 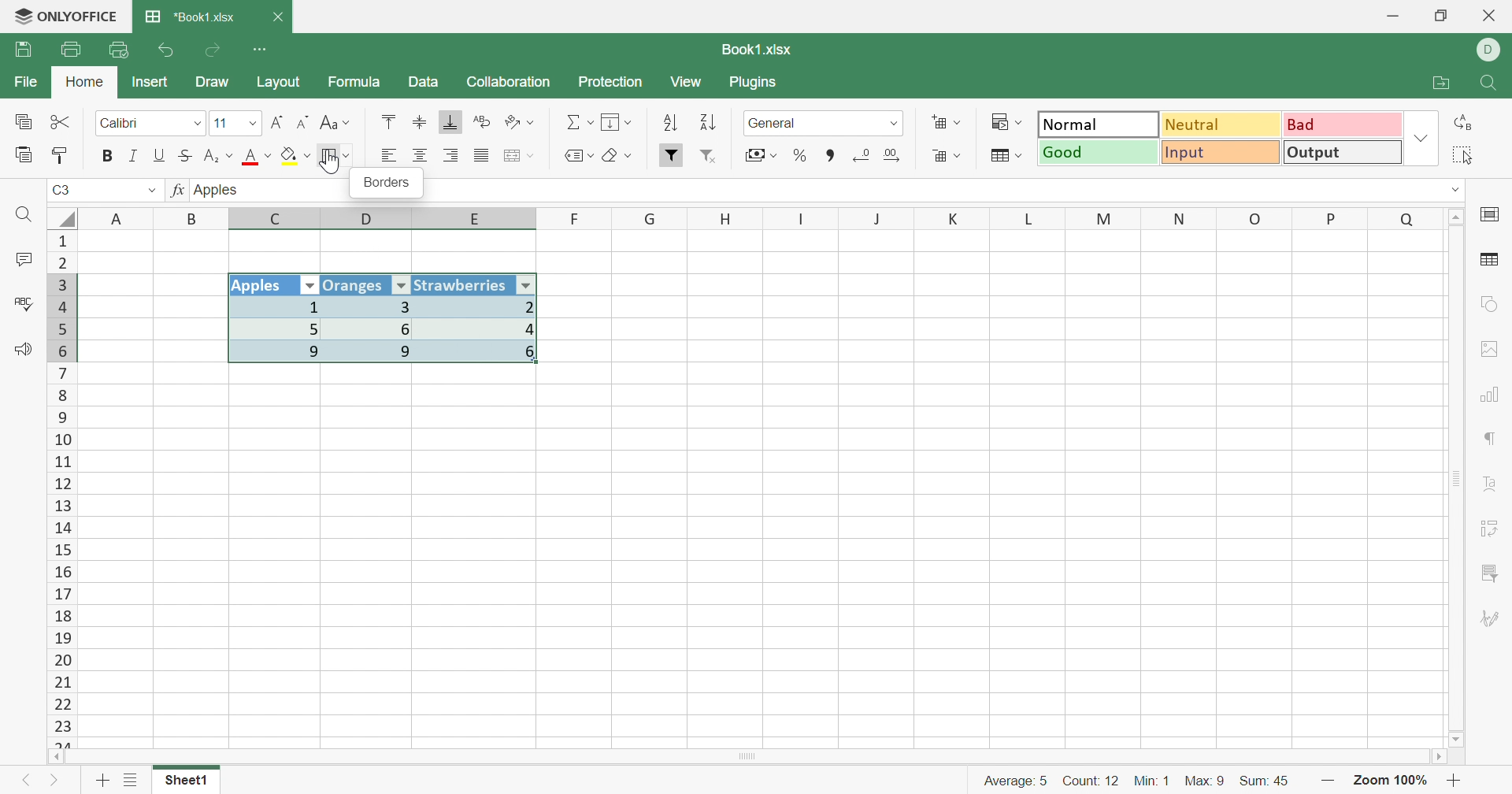 I want to click on 6, so click(x=485, y=357).